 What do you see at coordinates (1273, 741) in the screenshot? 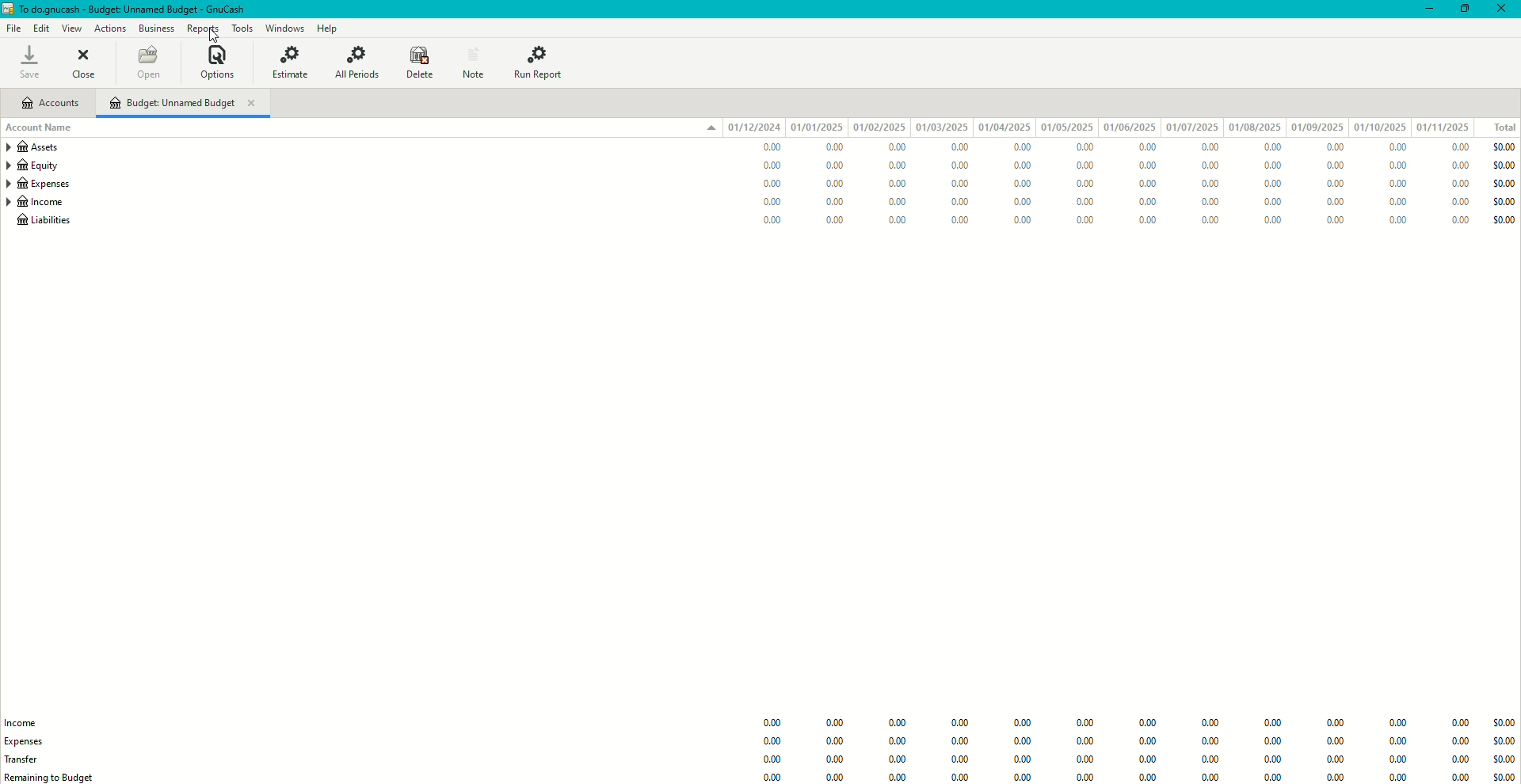
I see `0.00` at bounding box center [1273, 741].